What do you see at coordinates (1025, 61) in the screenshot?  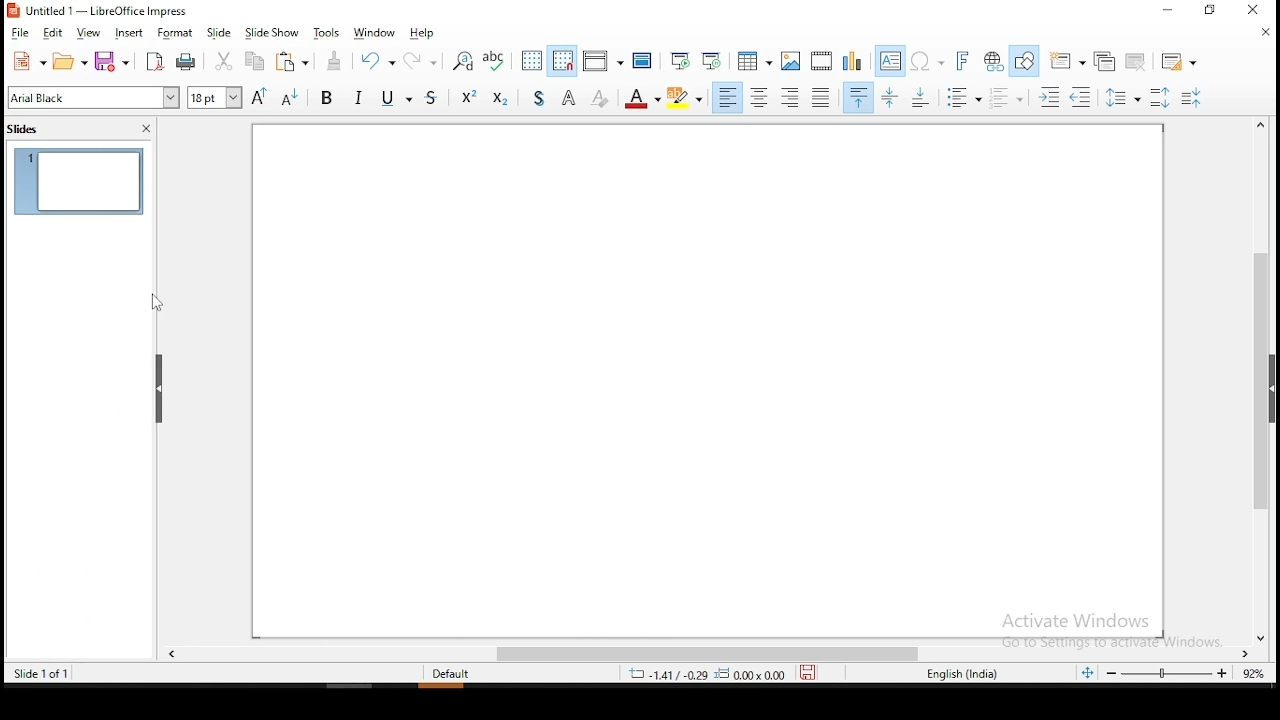 I see `show draw functions` at bounding box center [1025, 61].